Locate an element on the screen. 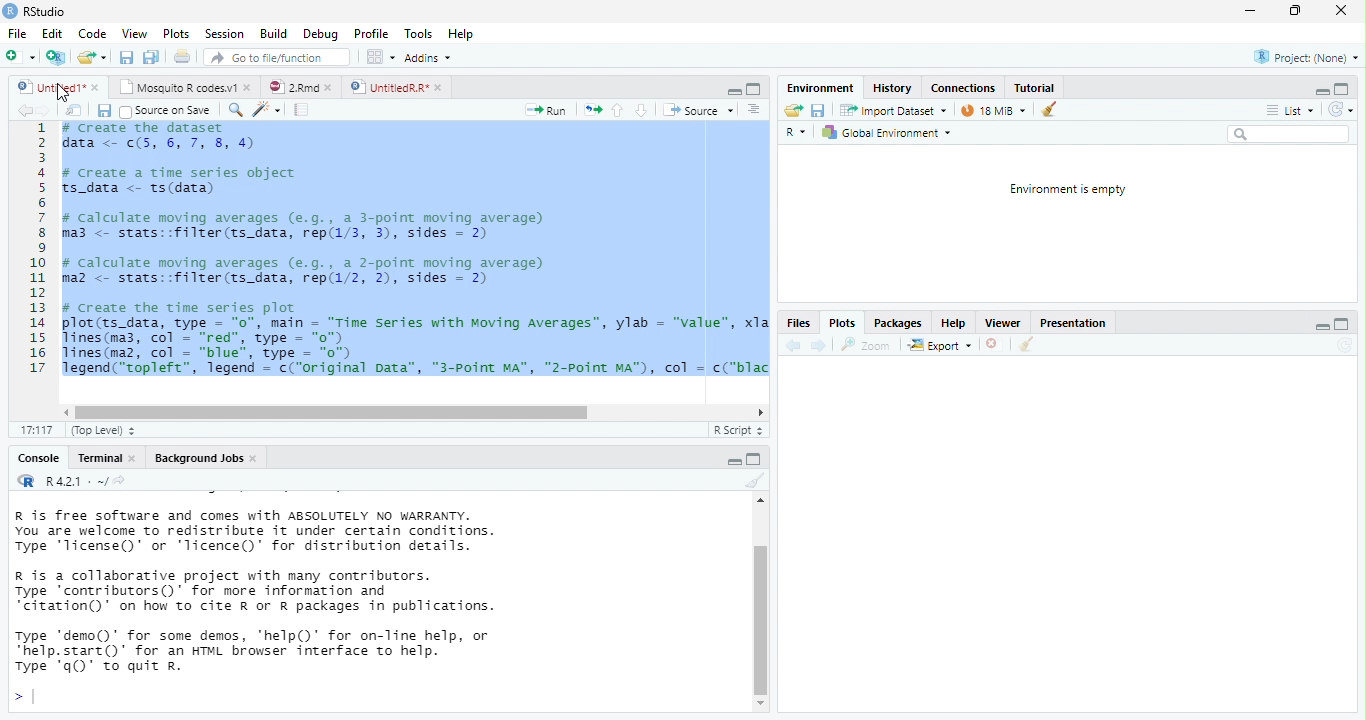  UntitiedR.R" is located at coordinates (387, 87).